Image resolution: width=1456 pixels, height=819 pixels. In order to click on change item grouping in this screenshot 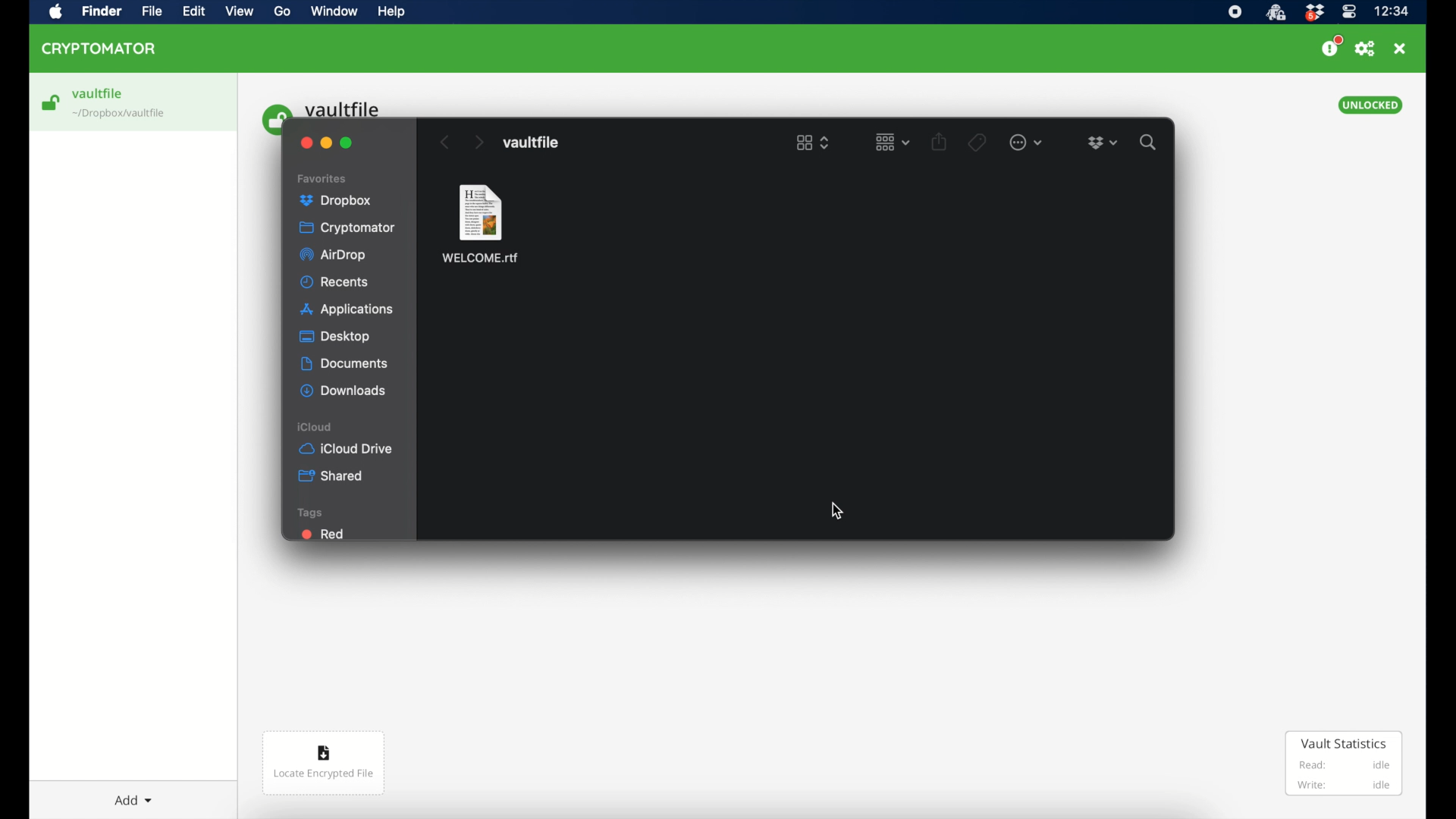, I will do `click(893, 142)`.